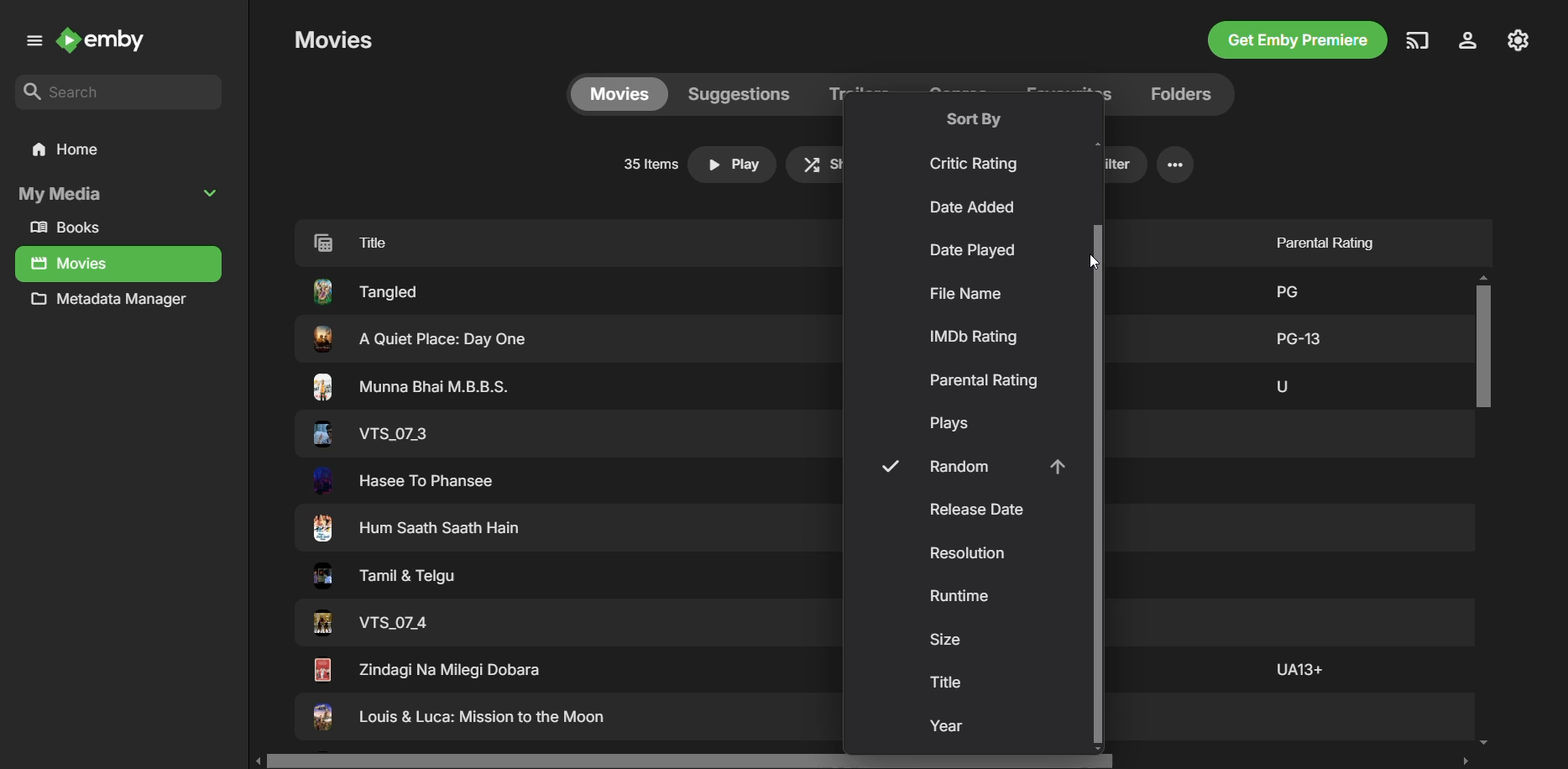 The image size is (1568, 769). Describe the element at coordinates (733, 165) in the screenshot. I see `Play` at that location.